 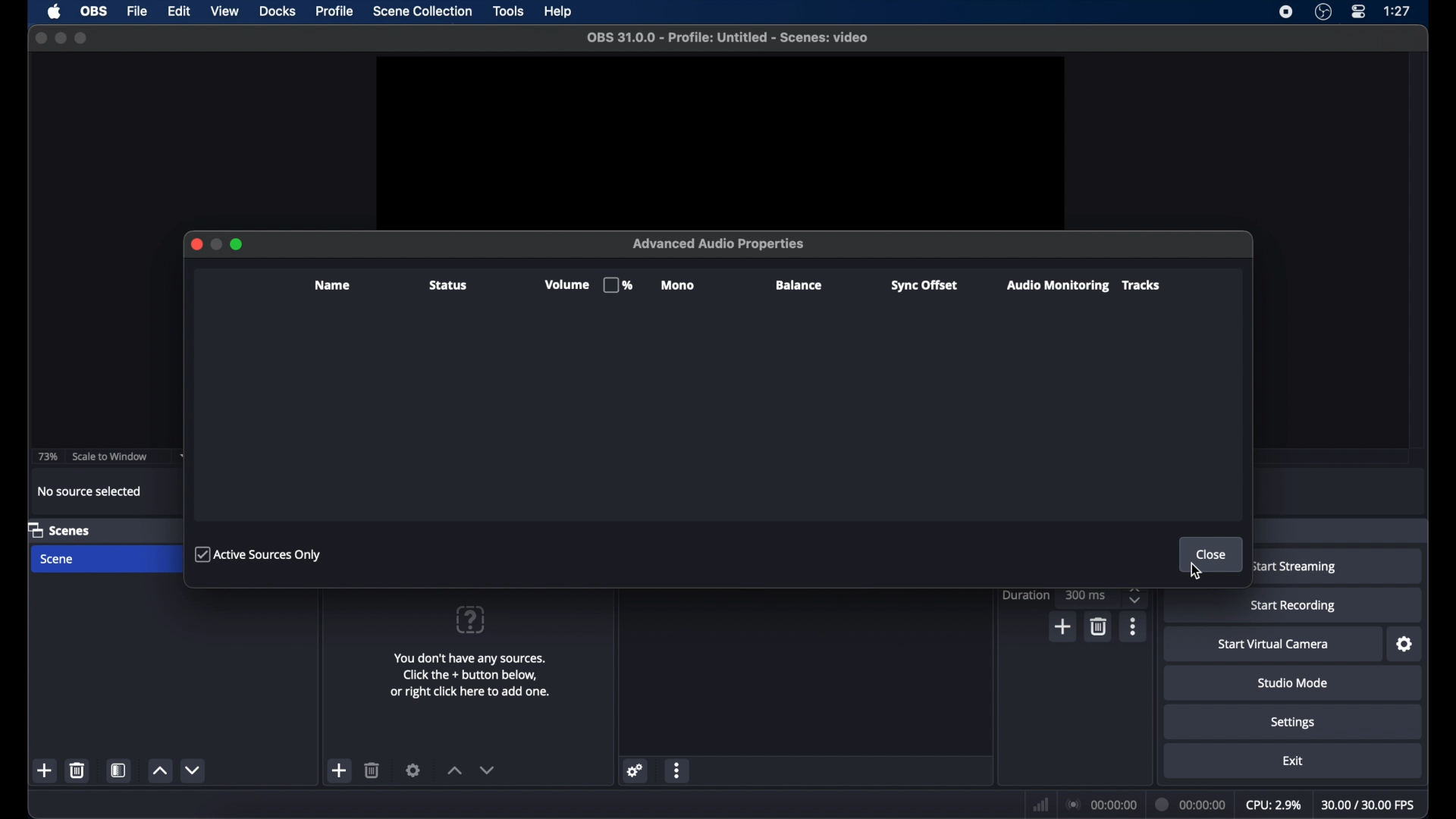 What do you see at coordinates (45, 770) in the screenshot?
I see `add` at bounding box center [45, 770].